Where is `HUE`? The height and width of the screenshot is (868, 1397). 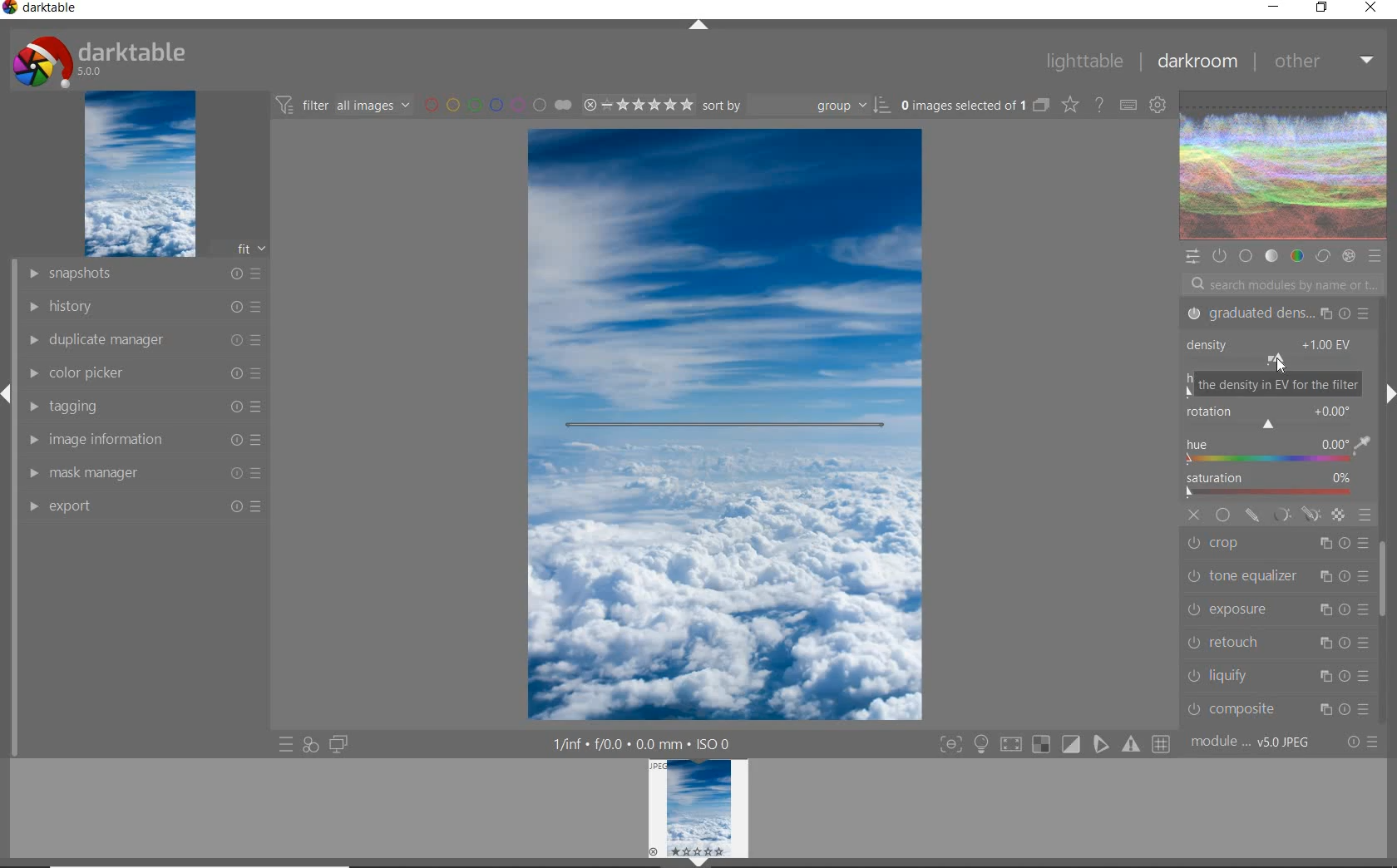
HUE is located at coordinates (1278, 452).